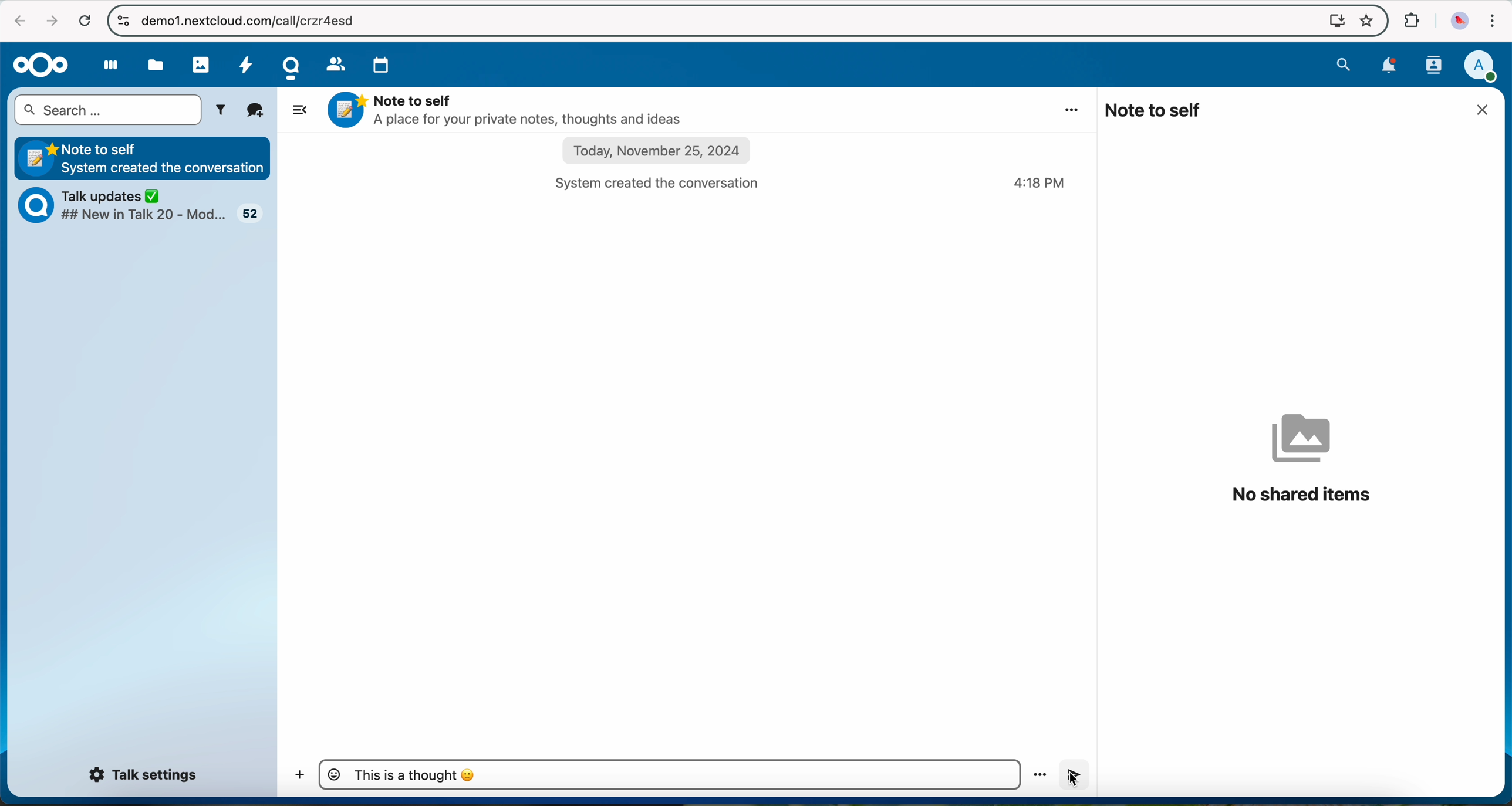 The width and height of the screenshot is (1512, 806). I want to click on click on send, so click(1074, 775).